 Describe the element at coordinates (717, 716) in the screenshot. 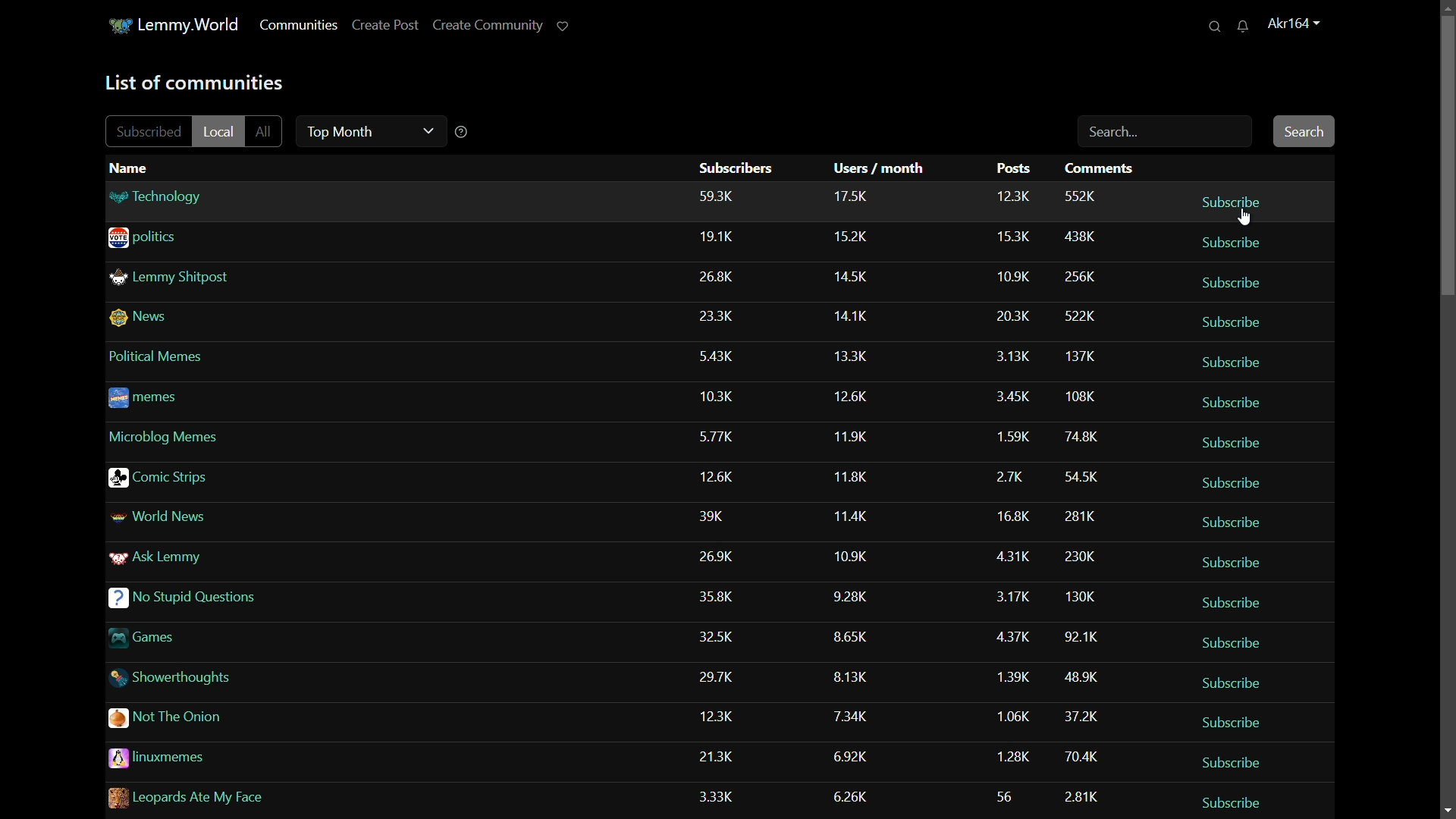

I see `subscribers` at that location.